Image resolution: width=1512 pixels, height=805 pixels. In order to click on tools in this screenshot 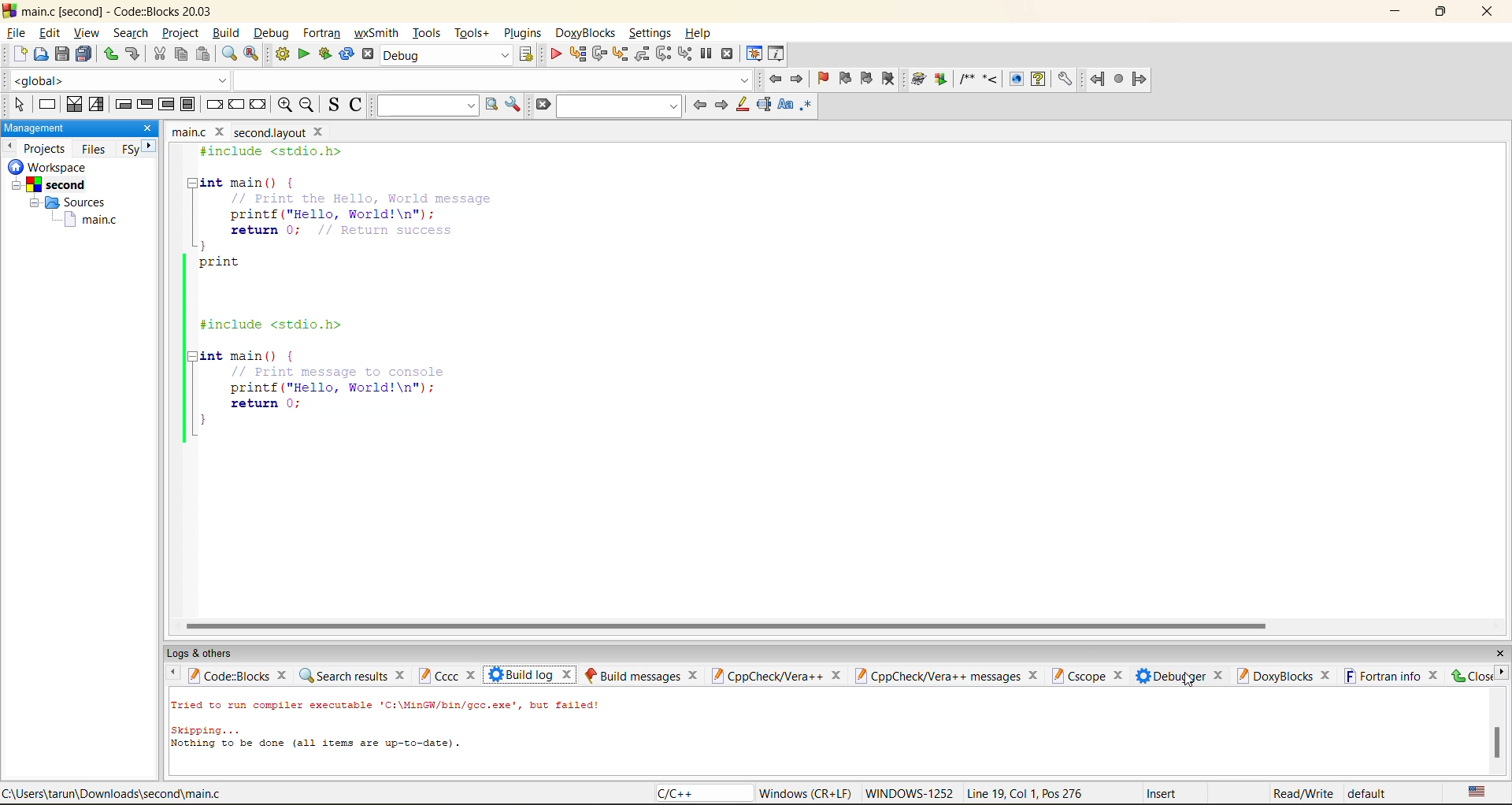, I will do `click(425, 33)`.